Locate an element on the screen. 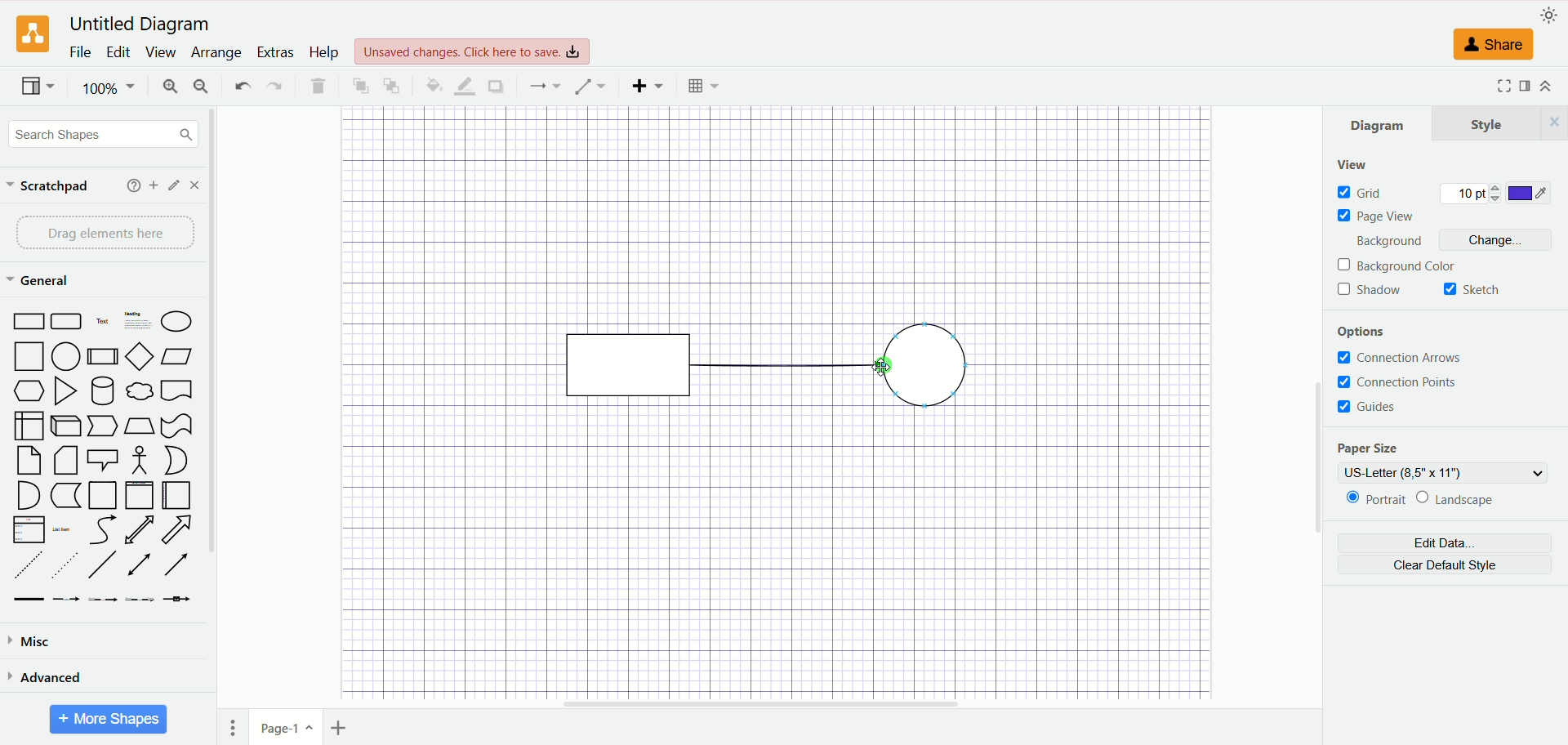  Marker is located at coordinates (65, 497).